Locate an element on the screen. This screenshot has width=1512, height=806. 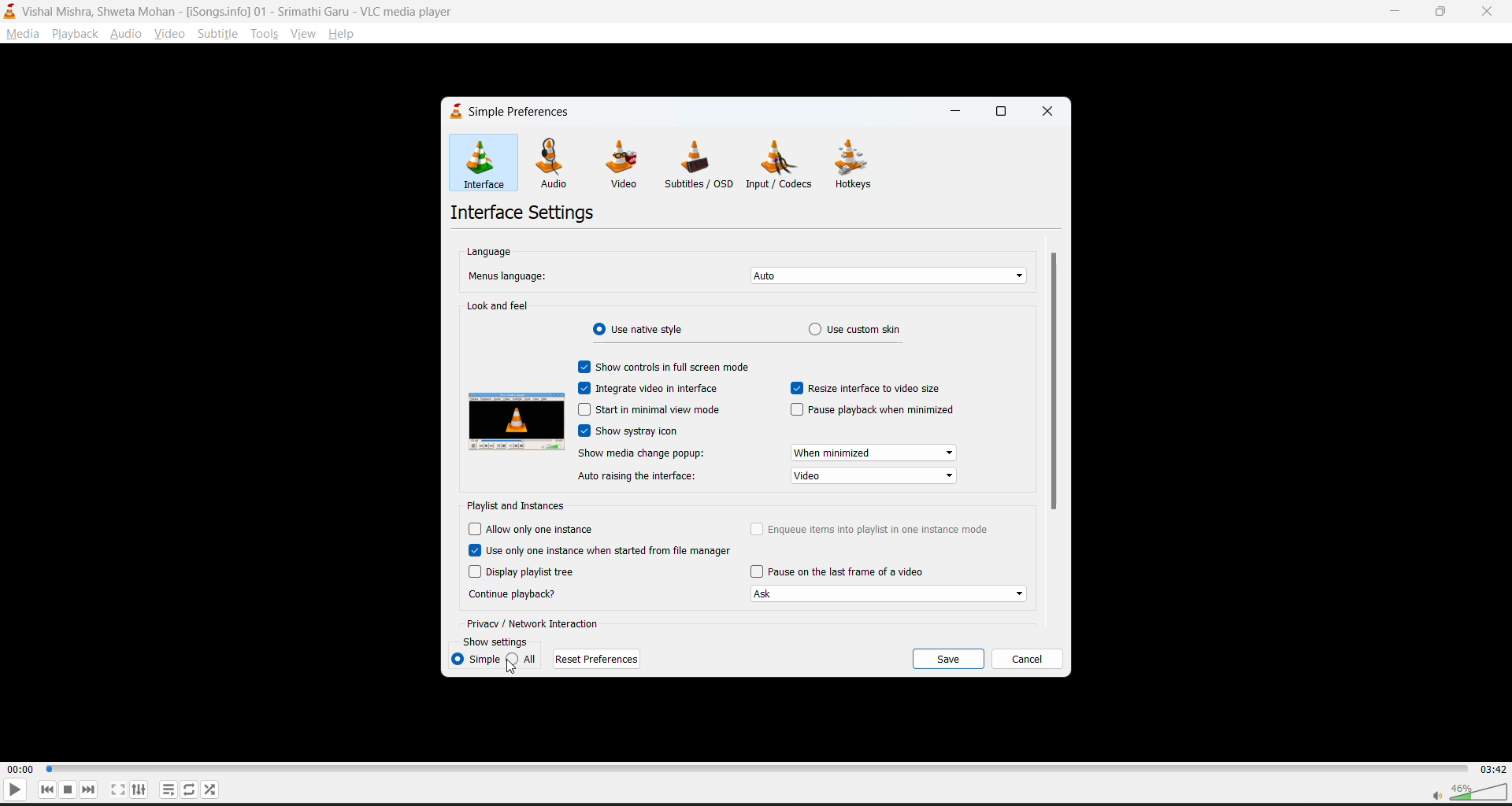
close is located at coordinates (1488, 14).